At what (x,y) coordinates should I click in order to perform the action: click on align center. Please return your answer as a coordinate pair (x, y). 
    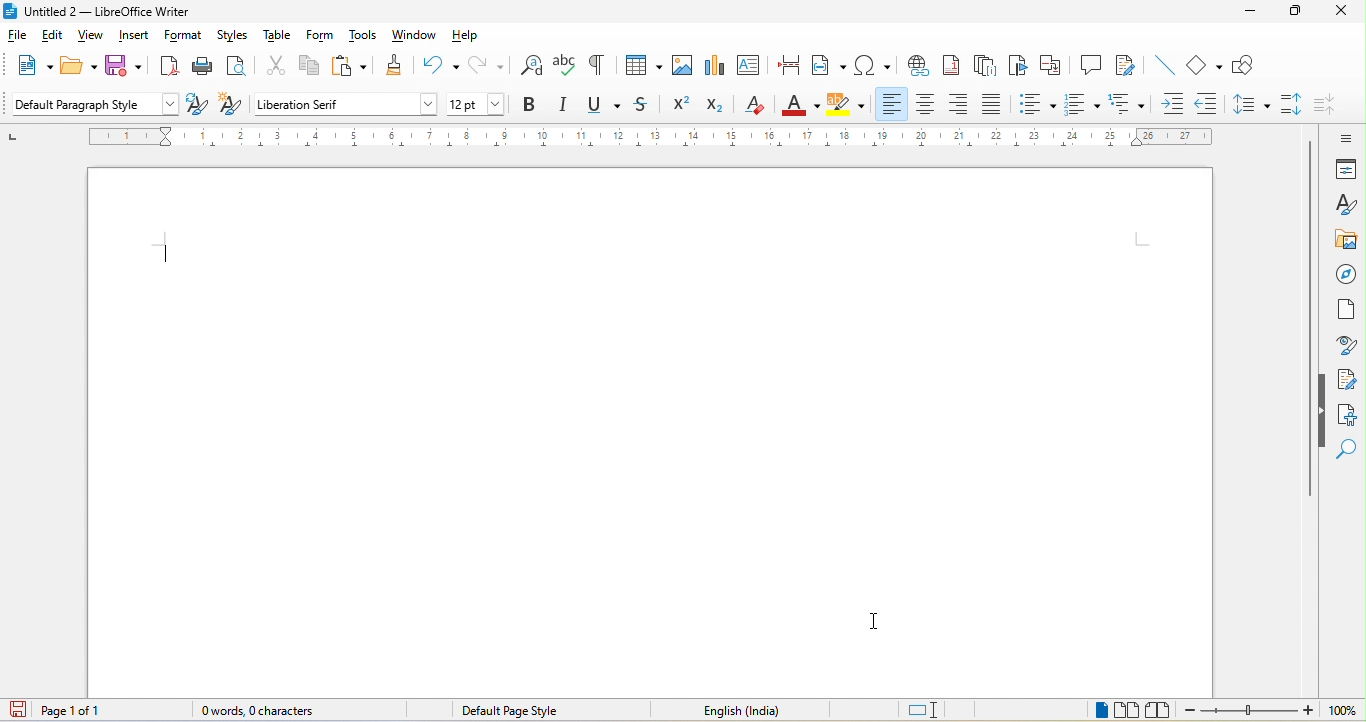
    Looking at the image, I should click on (928, 105).